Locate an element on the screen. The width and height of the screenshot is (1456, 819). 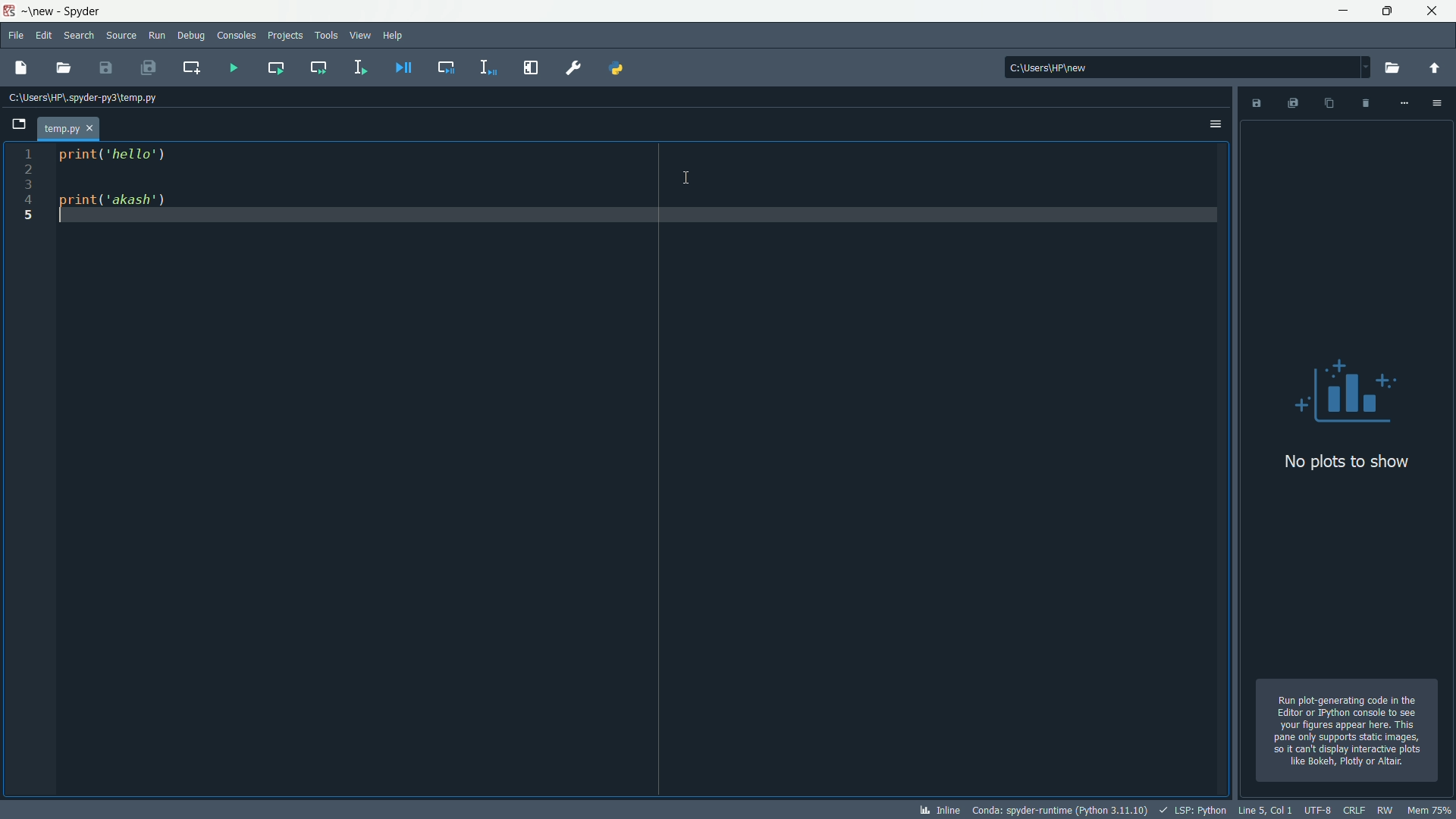
options is located at coordinates (1437, 101).